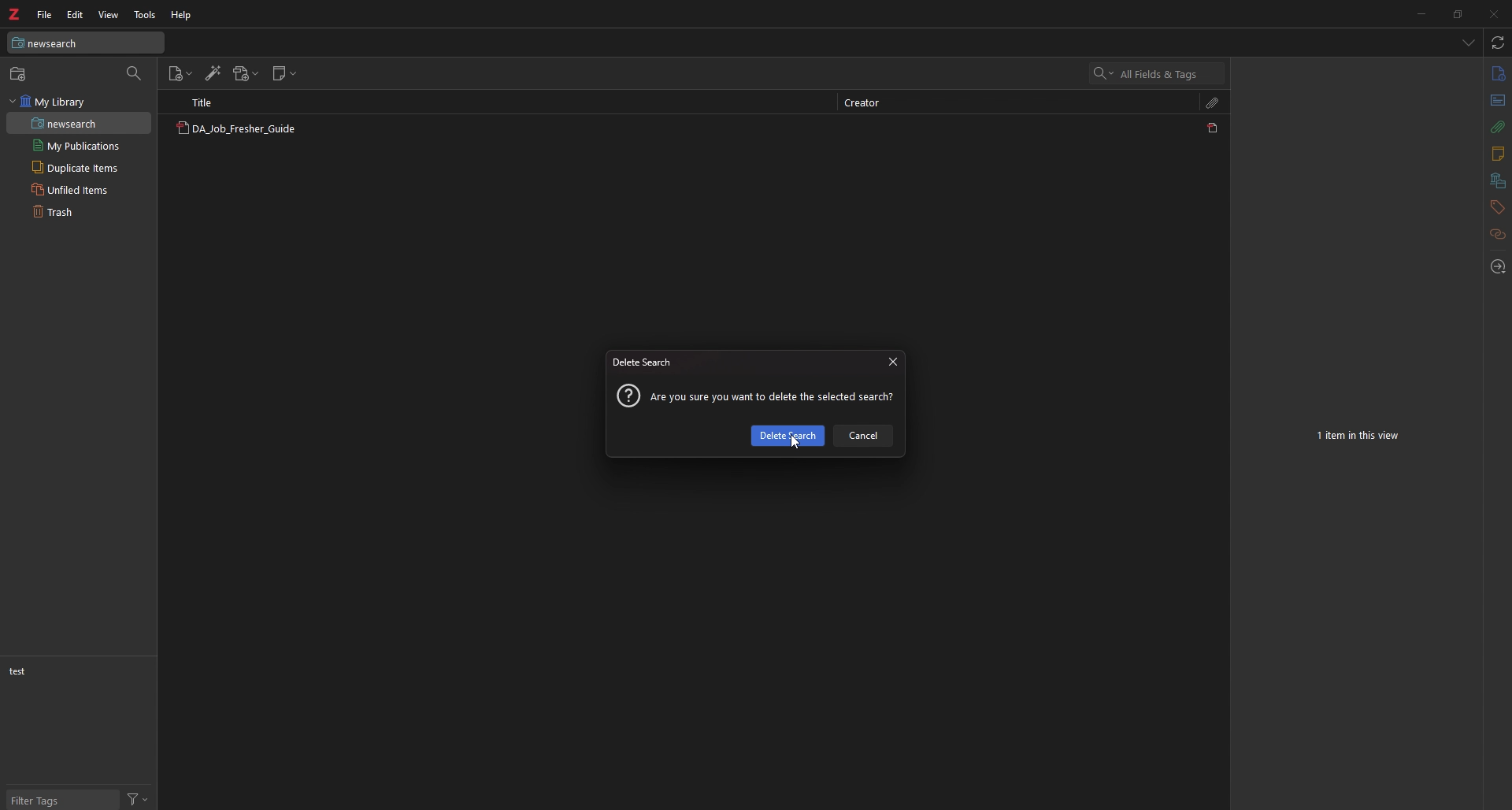 The width and height of the screenshot is (1512, 810). What do you see at coordinates (17, 15) in the screenshot?
I see `Logo` at bounding box center [17, 15].